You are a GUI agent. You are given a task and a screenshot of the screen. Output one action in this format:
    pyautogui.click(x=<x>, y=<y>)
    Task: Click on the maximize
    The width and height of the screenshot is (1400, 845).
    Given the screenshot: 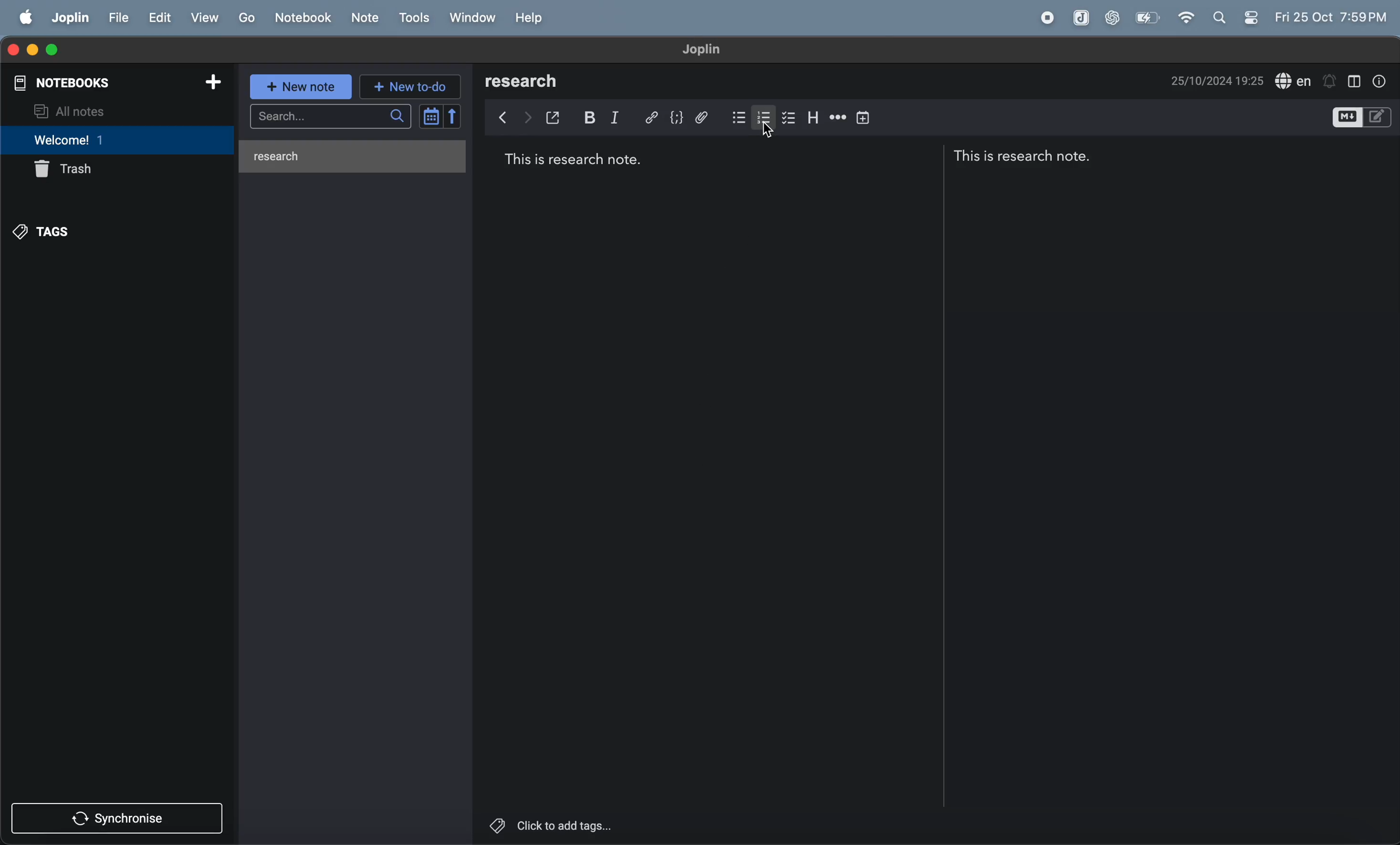 What is the action you would take?
    pyautogui.click(x=59, y=49)
    